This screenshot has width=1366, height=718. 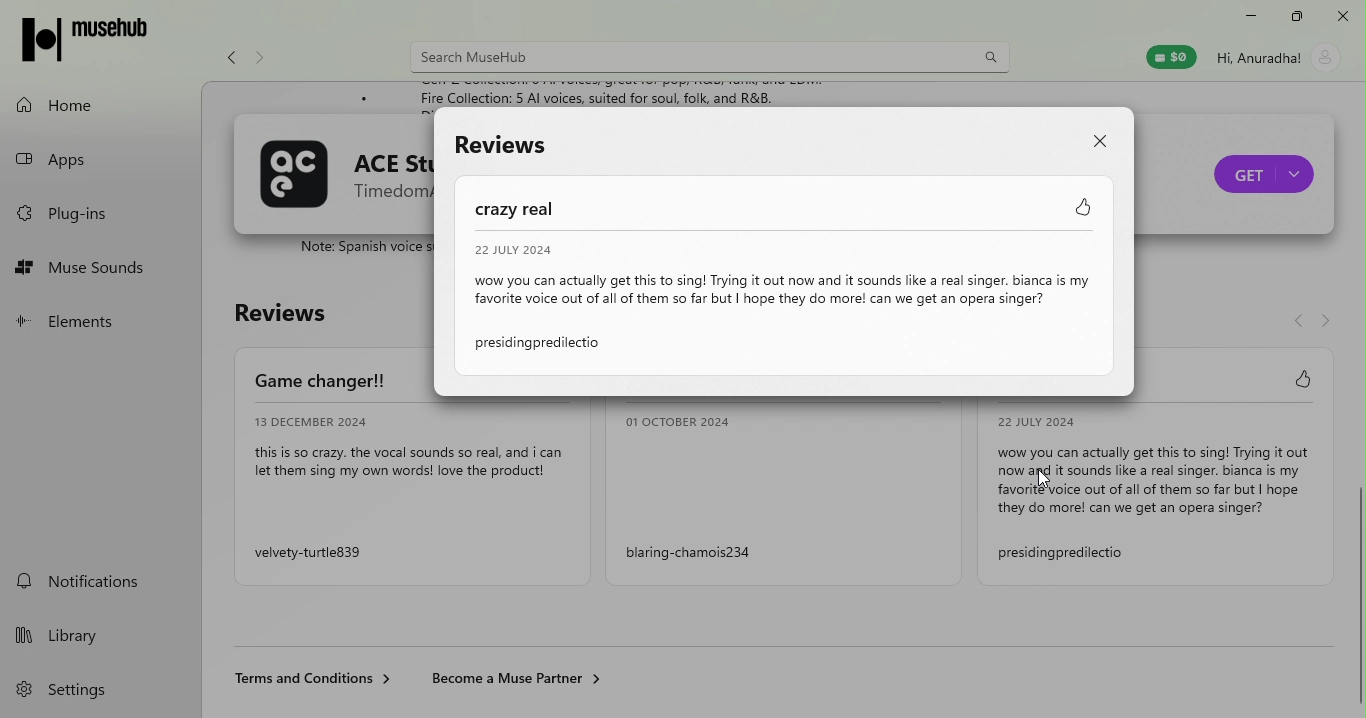 What do you see at coordinates (1263, 171) in the screenshot?
I see `Purchase ACE studio` at bounding box center [1263, 171].